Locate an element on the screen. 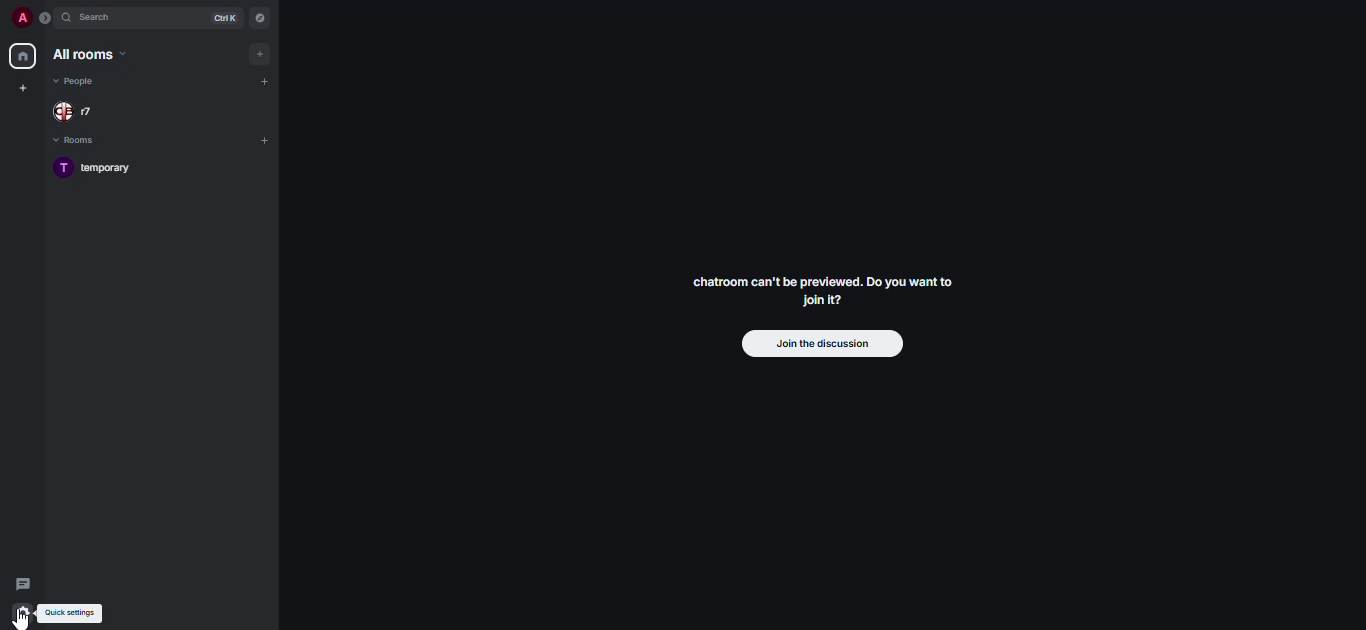 This screenshot has width=1366, height=630. quick settings is located at coordinates (70, 613).